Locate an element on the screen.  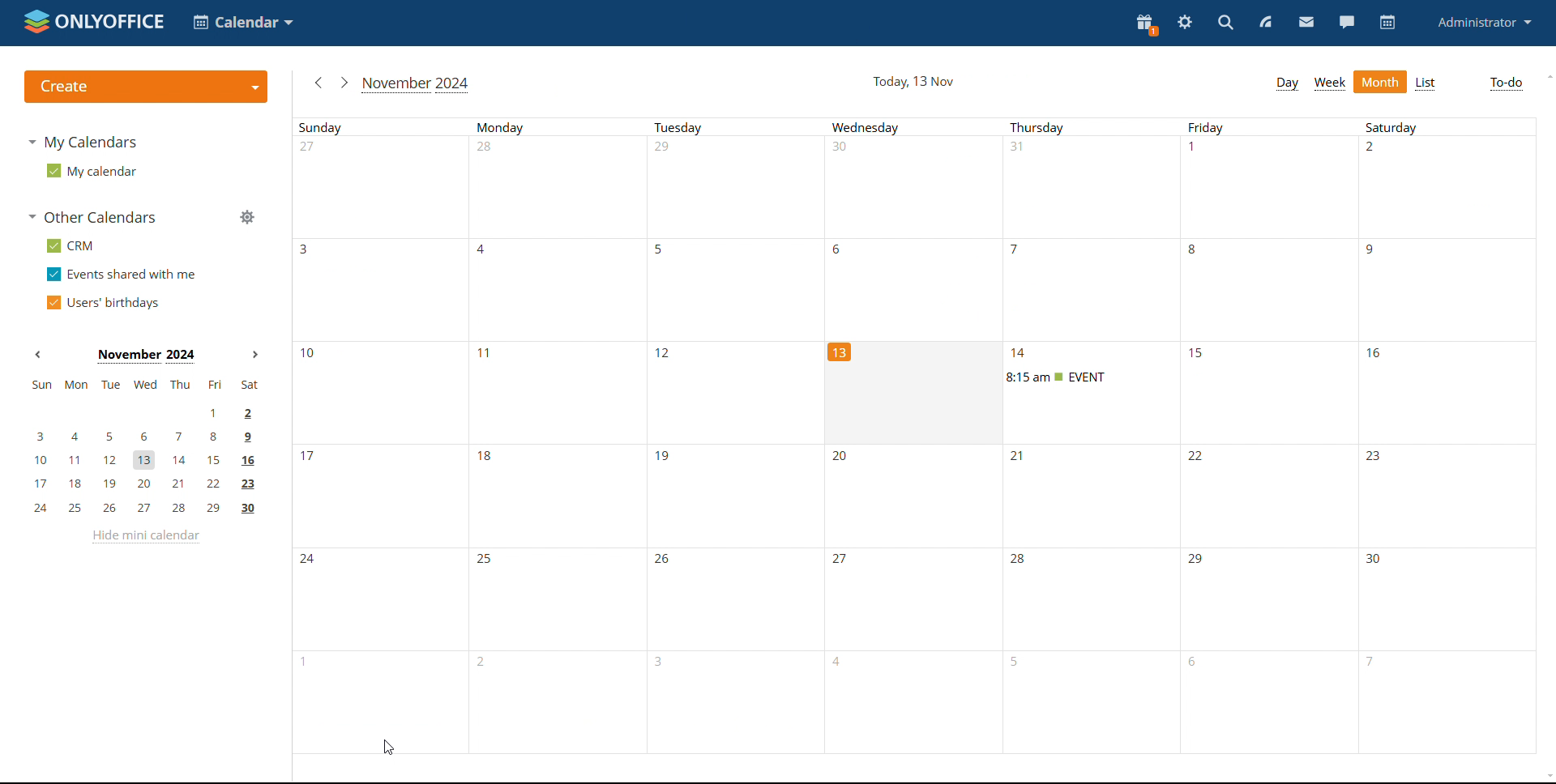
days is located at coordinates (878, 126).